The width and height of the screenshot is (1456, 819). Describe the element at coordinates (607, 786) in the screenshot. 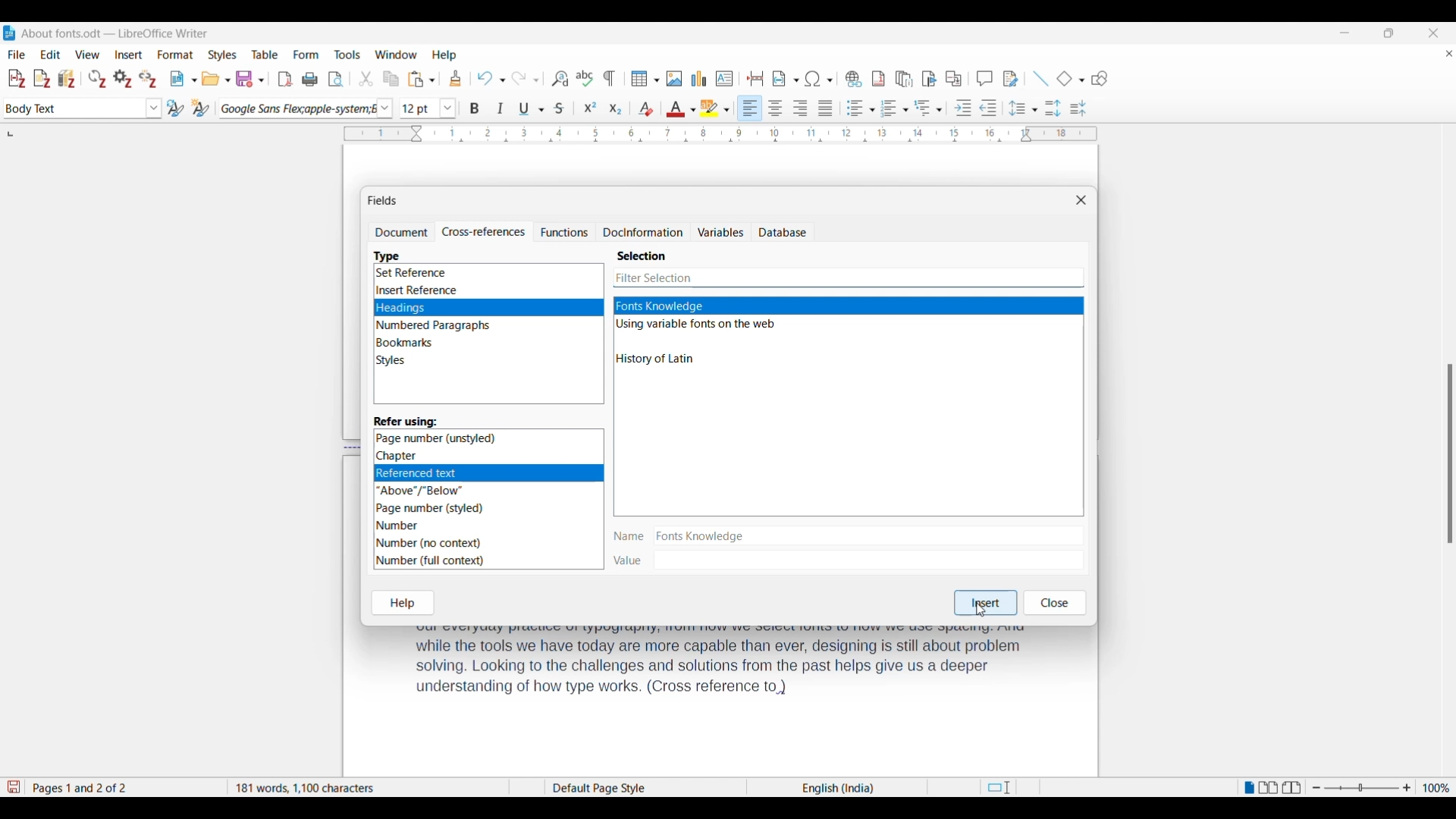

I see `Default Page Style` at that location.